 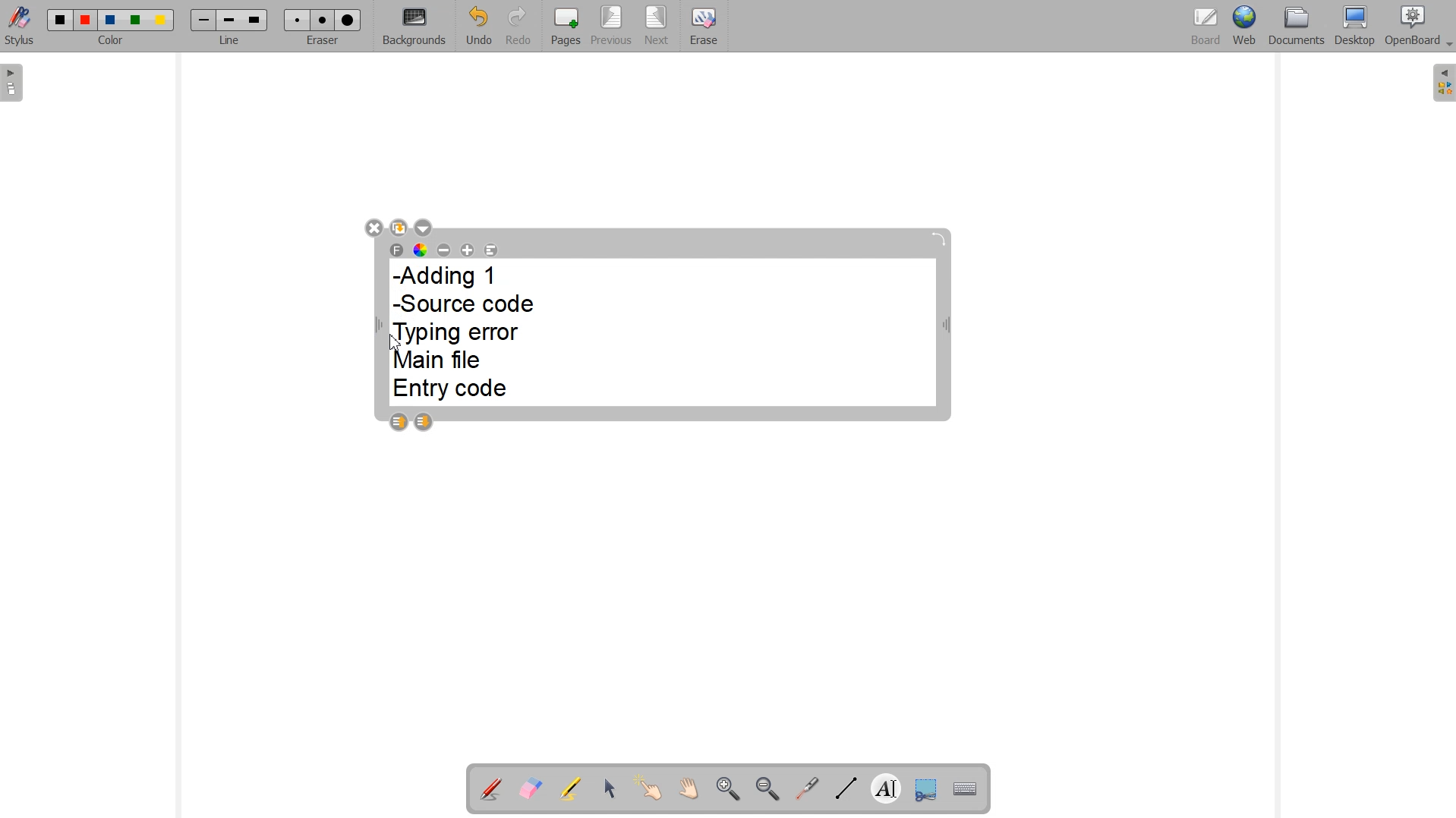 What do you see at coordinates (162, 20) in the screenshot?
I see `Color 5` at bounding box center [162, 20].